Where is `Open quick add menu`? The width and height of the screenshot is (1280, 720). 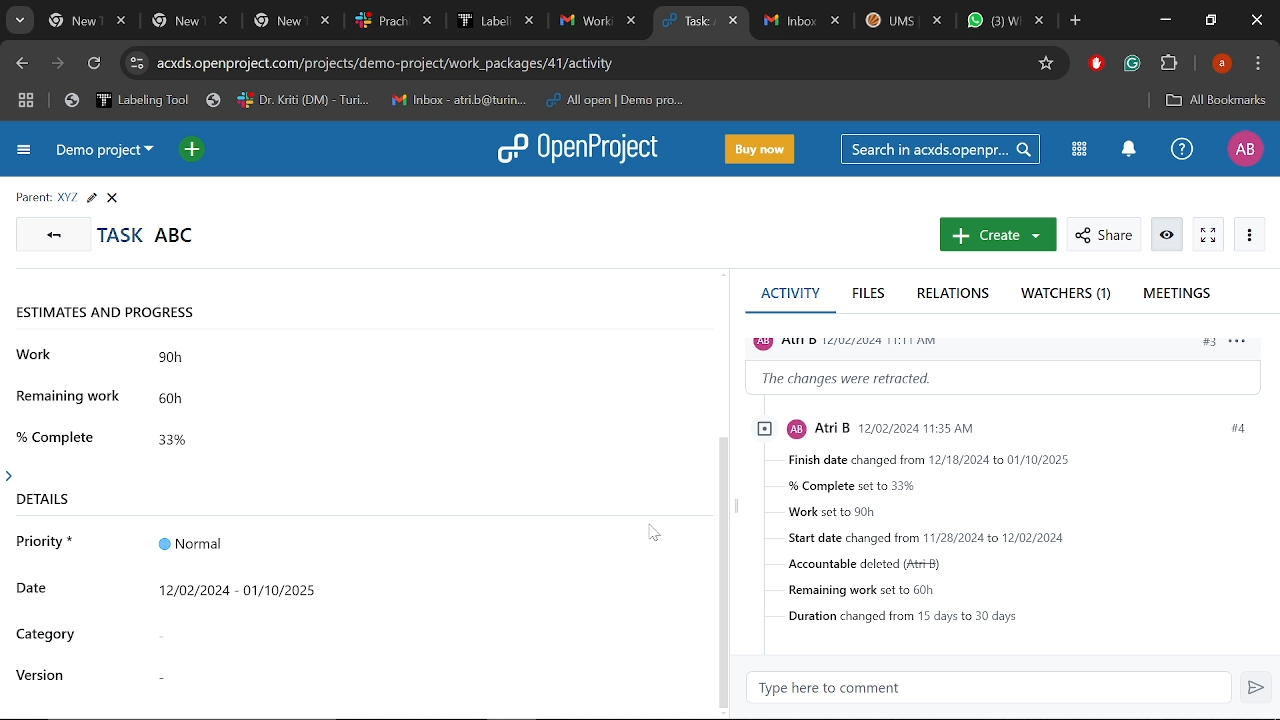 Open quick add menu is located at coordinates (194, 152).